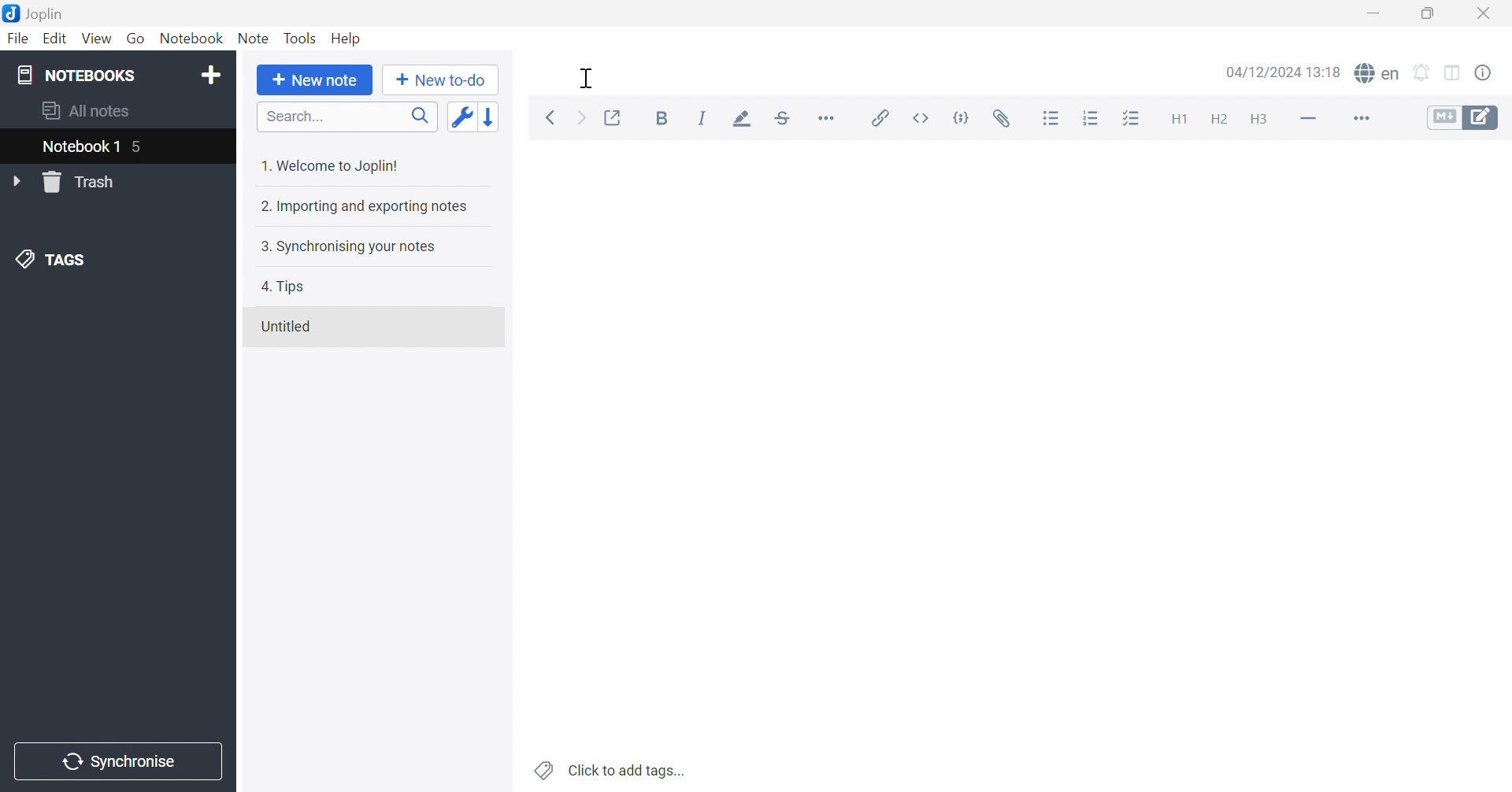 This screenshot has height=792, width=1512. Describe the element at coordinates (302, 37) in the screenshot. I see `Tools` at that location.